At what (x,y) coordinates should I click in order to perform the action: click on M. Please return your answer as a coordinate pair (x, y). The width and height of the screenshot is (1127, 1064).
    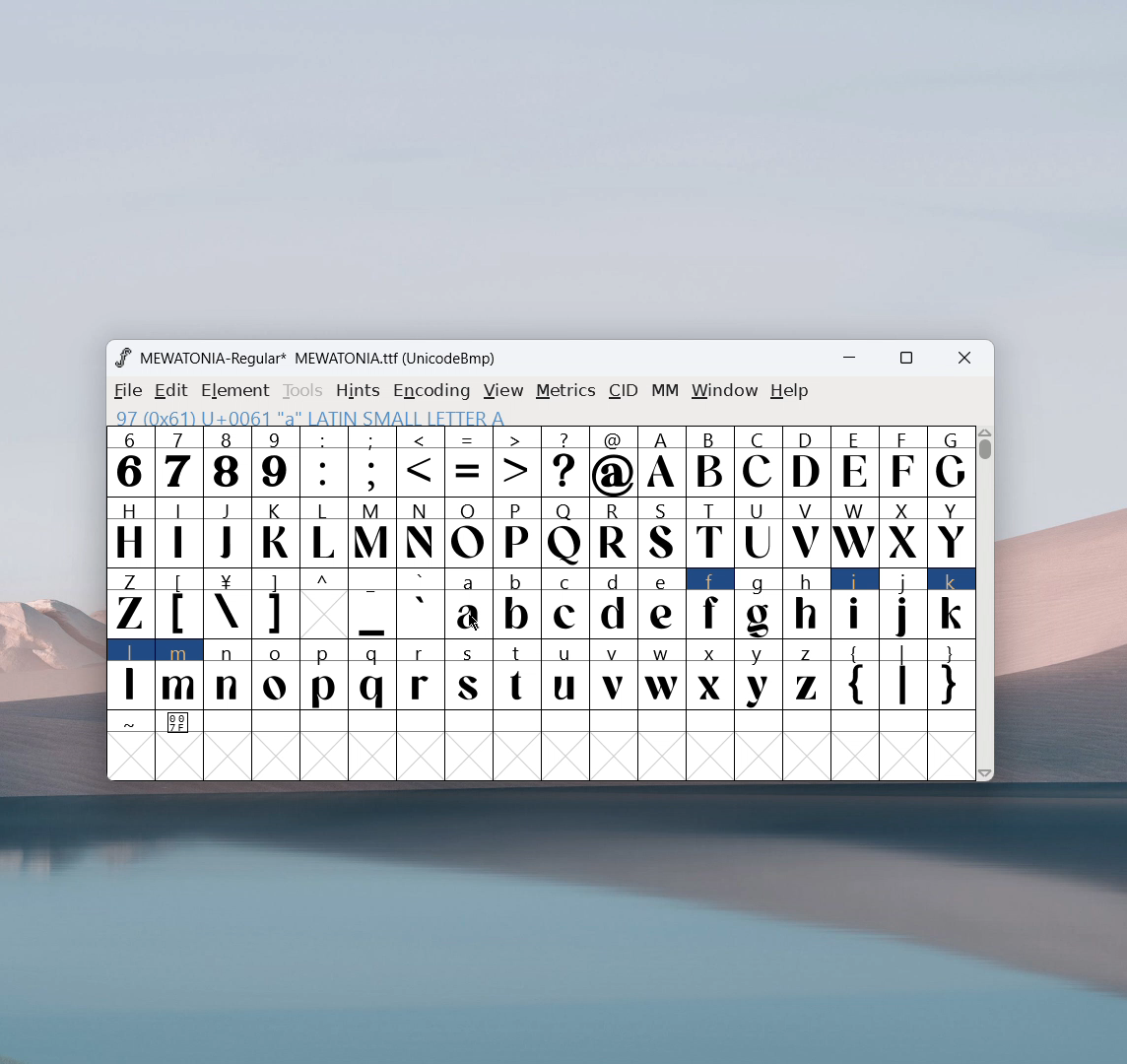
    Looking at the image, I should click on (373, 531).